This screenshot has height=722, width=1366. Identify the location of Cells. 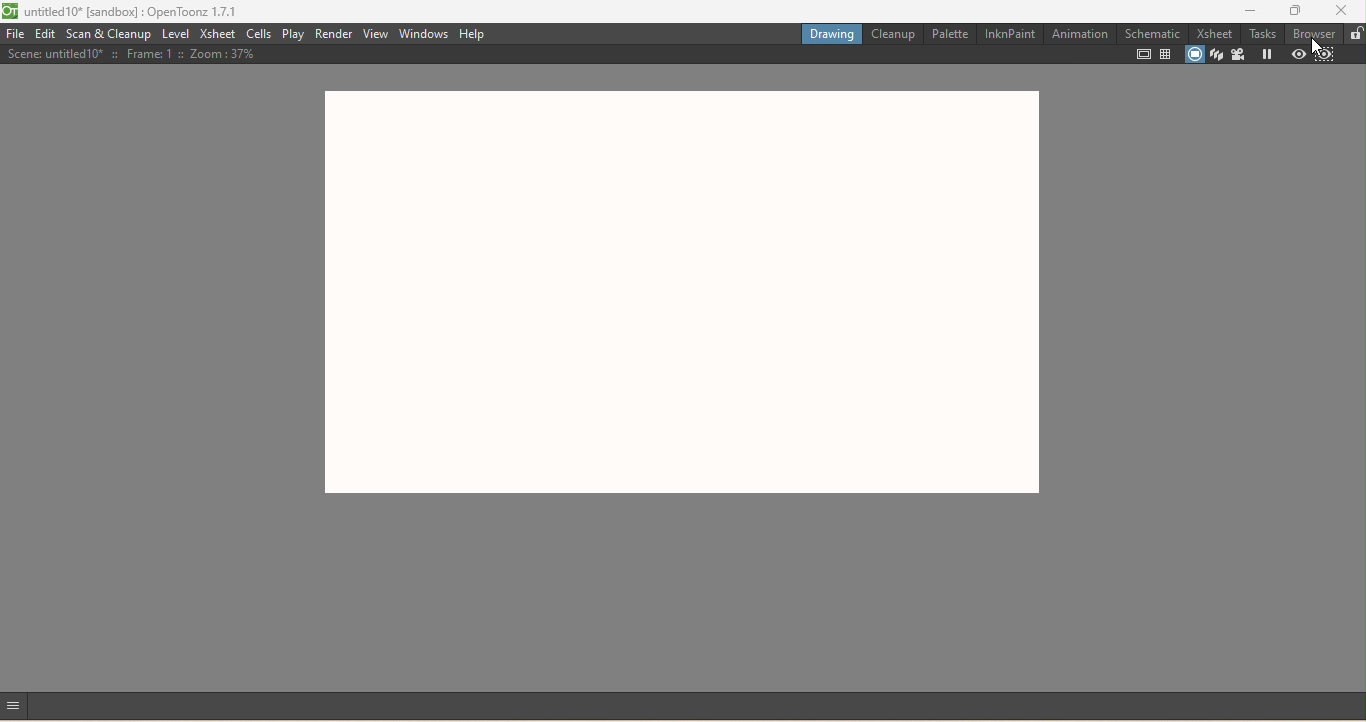
(259, 33).